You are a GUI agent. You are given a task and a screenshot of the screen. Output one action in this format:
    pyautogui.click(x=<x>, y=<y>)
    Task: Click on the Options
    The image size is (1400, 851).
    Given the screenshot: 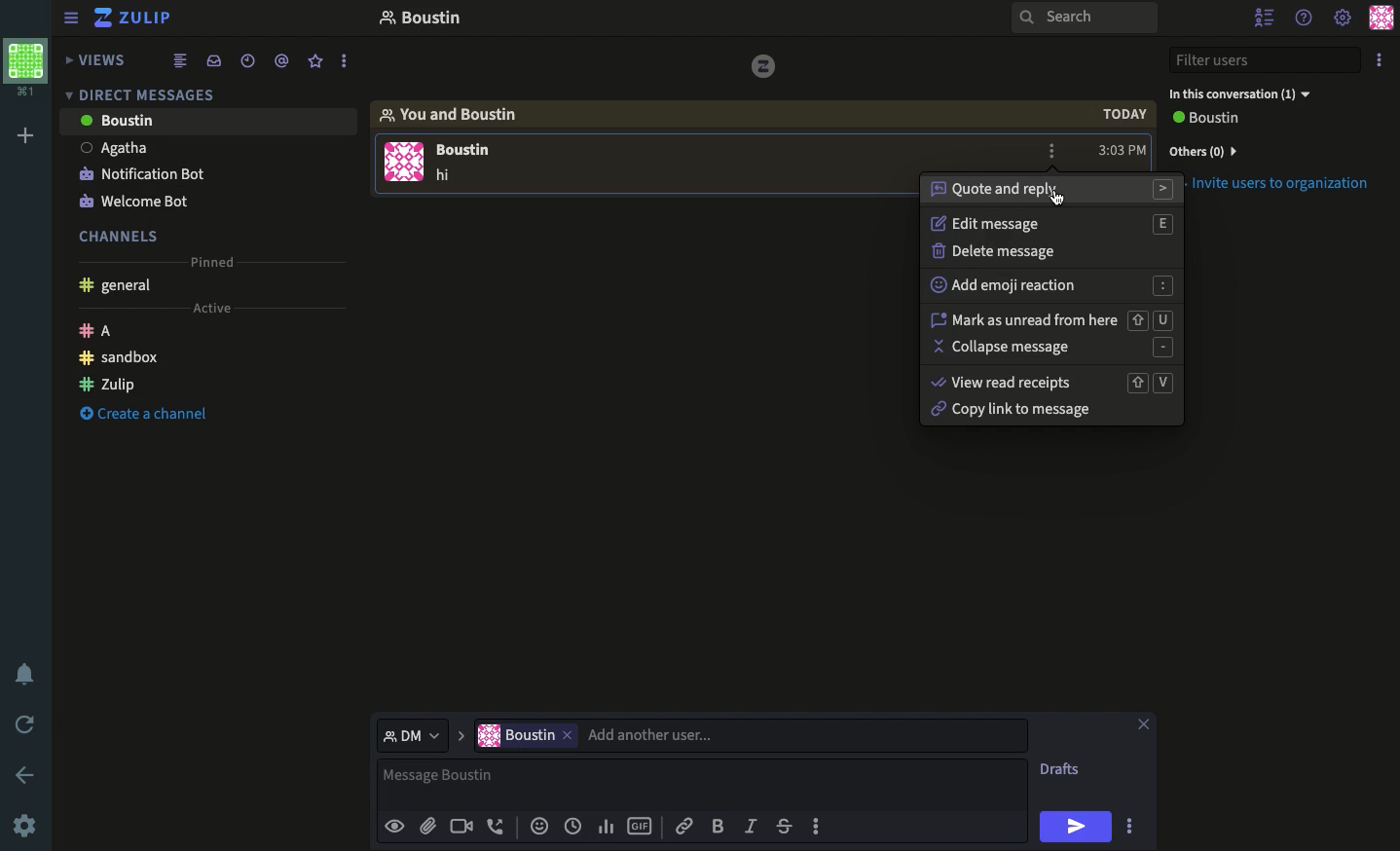 What is the action you would take?
    pyautogui.click(x=816, y=824)
    